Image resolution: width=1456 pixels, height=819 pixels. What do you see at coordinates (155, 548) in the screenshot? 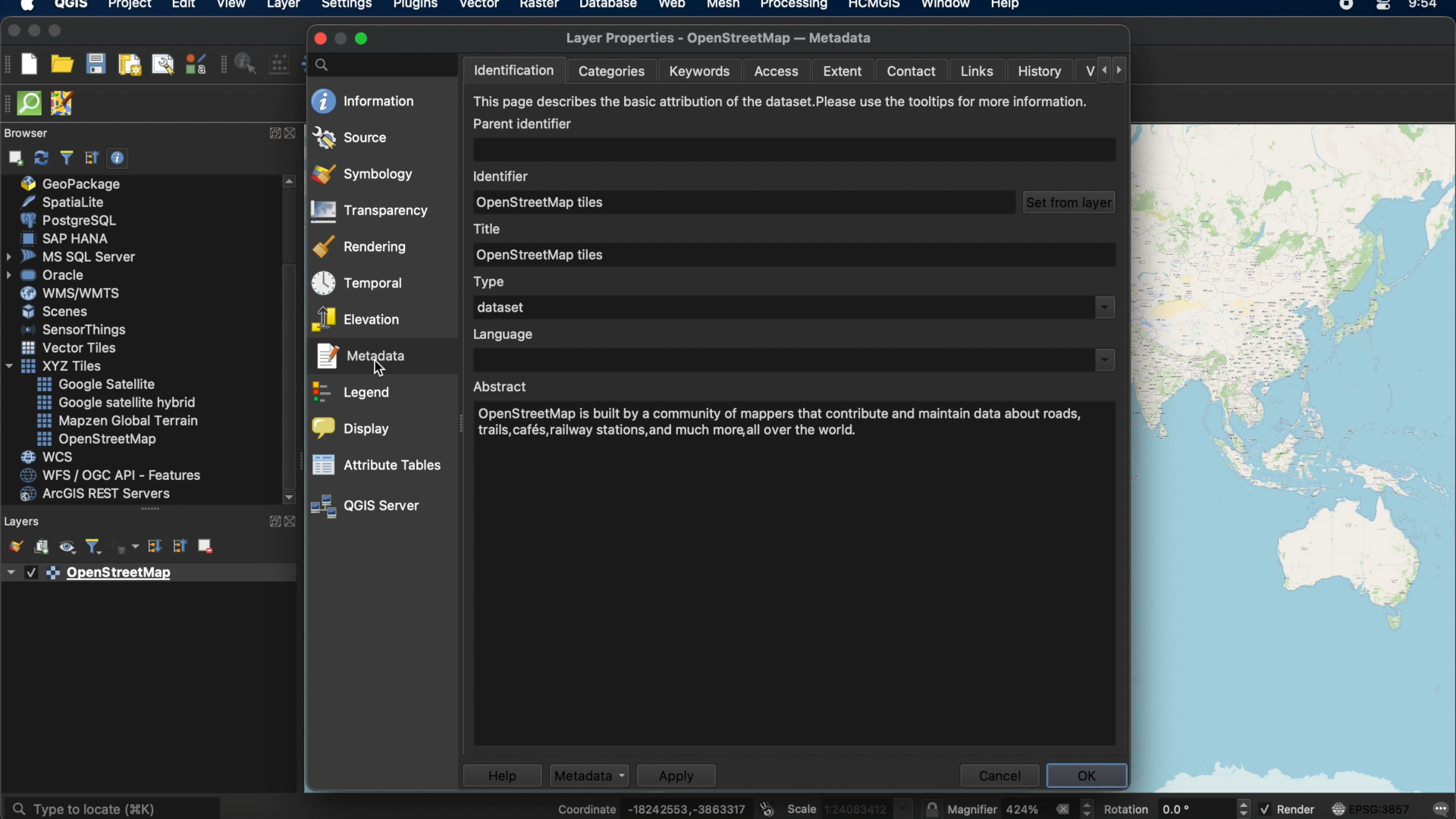
I see `expand all` at bounding box center [155, 548].